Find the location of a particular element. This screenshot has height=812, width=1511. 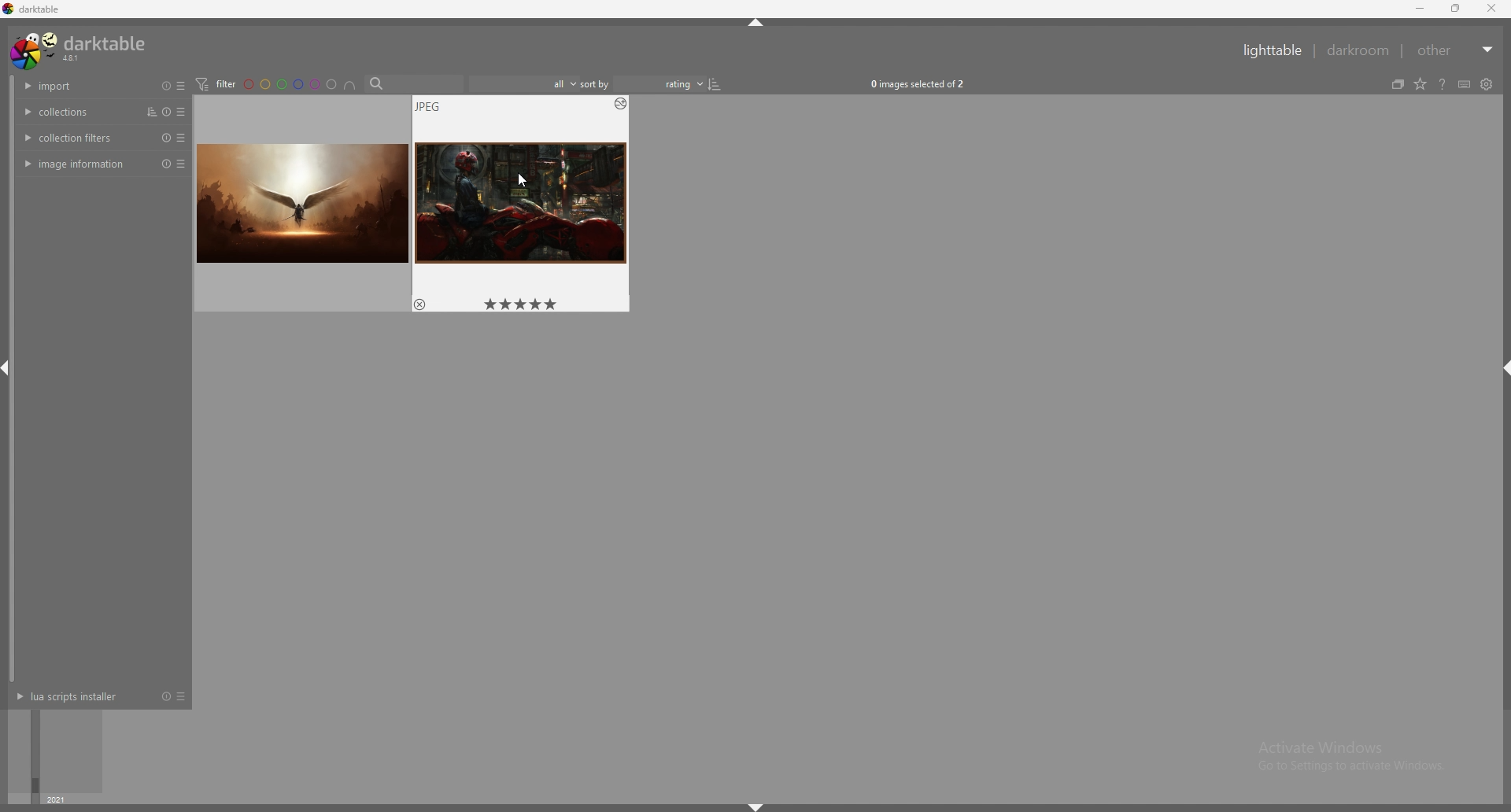

change type of overlays is located at coordinates (1420, 84).